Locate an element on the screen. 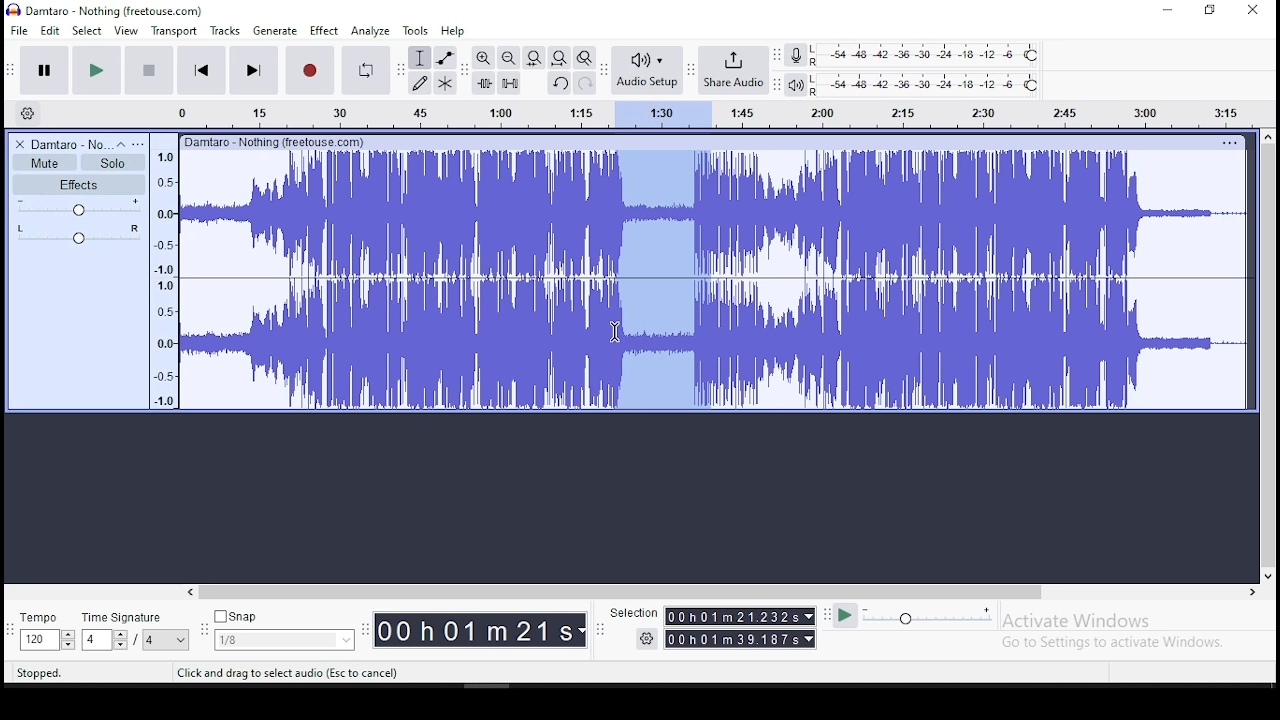 The height and width of the screenshot is (720, 1280). drop down is located at coordinates (67, 640).